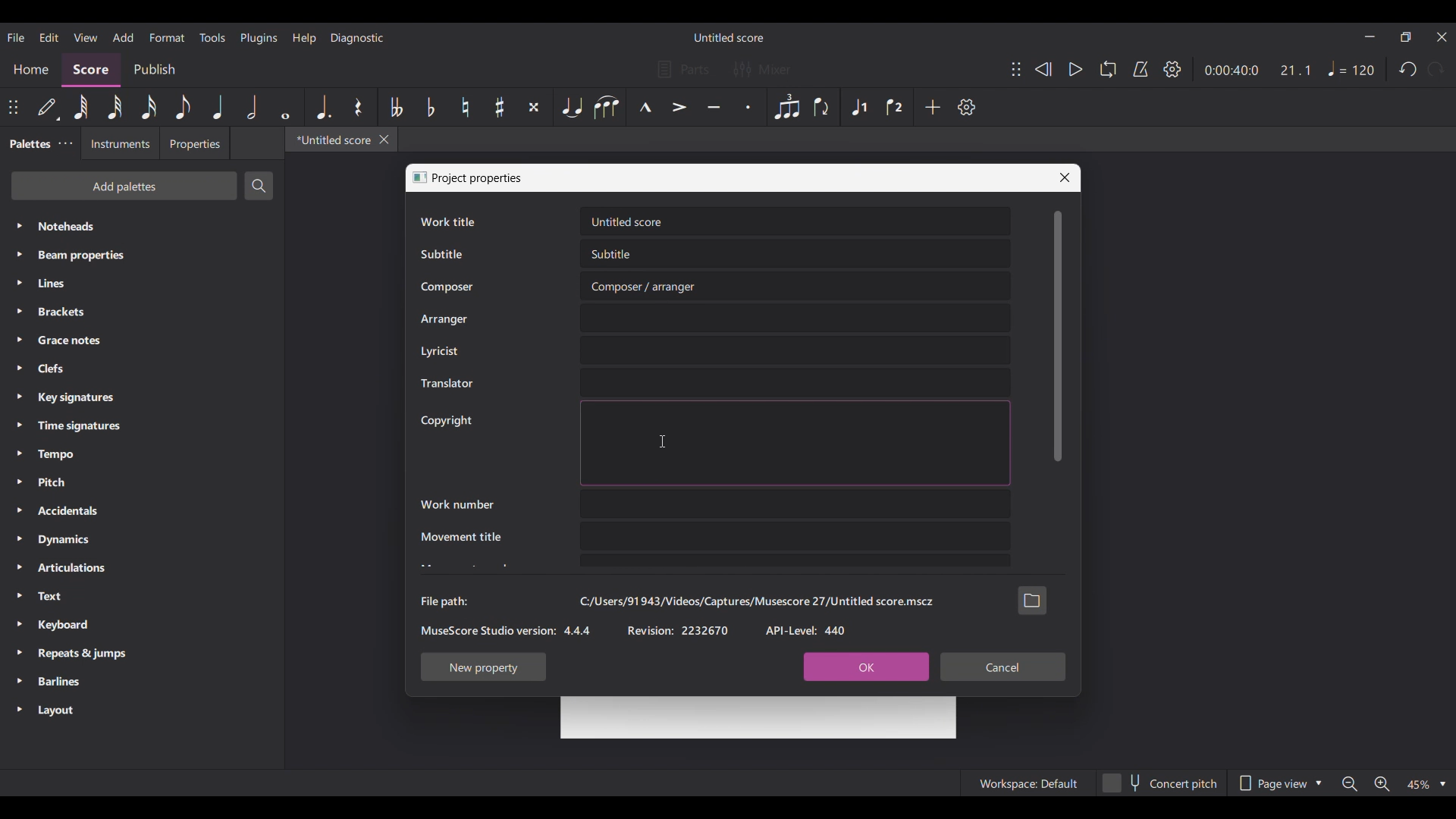  Describe the element at coordinates (506, 630) in the screenshot. I see `MuseScore Studio version: 4.4.4` at that location.